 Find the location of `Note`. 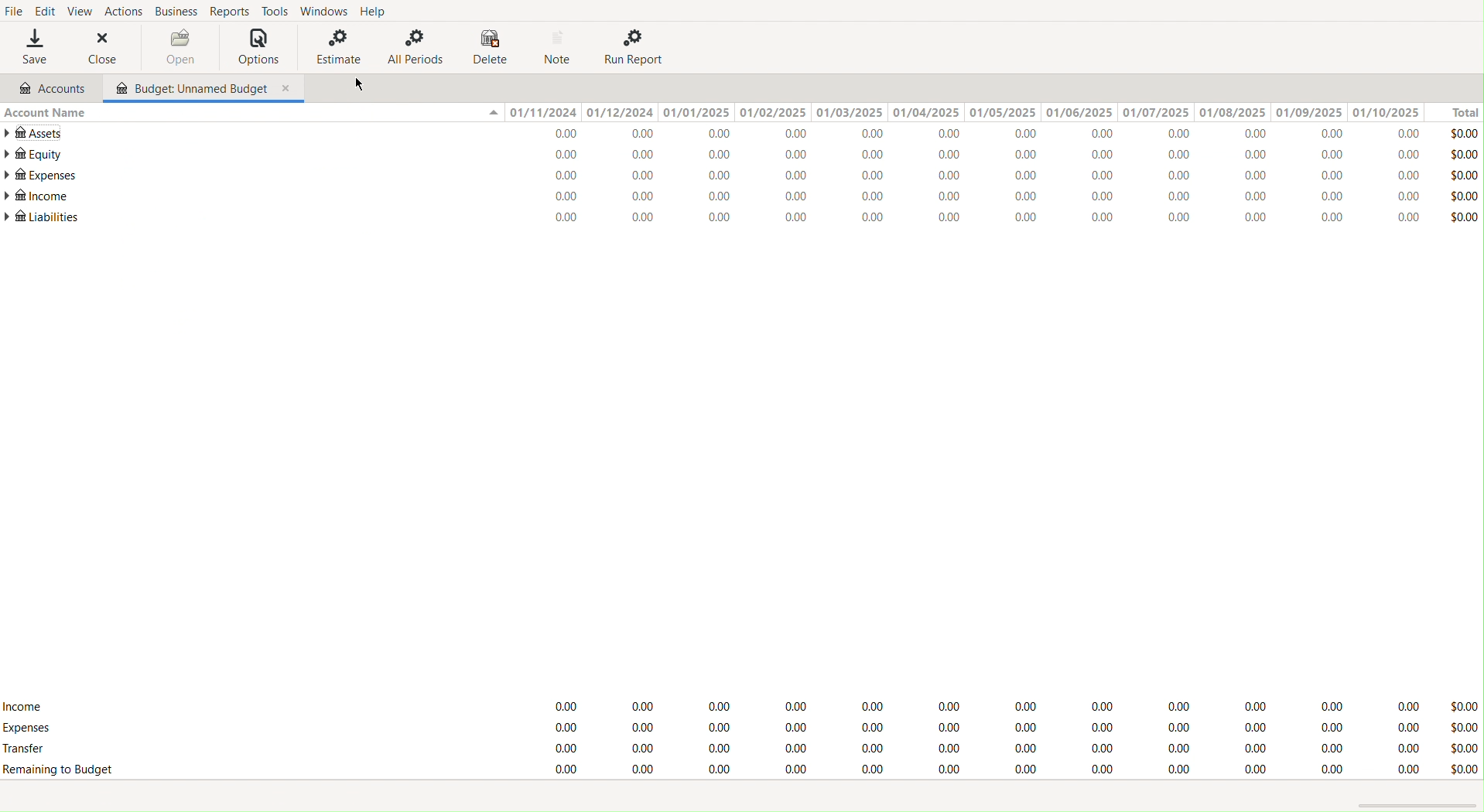

Note is located at coordinates (560, 47).